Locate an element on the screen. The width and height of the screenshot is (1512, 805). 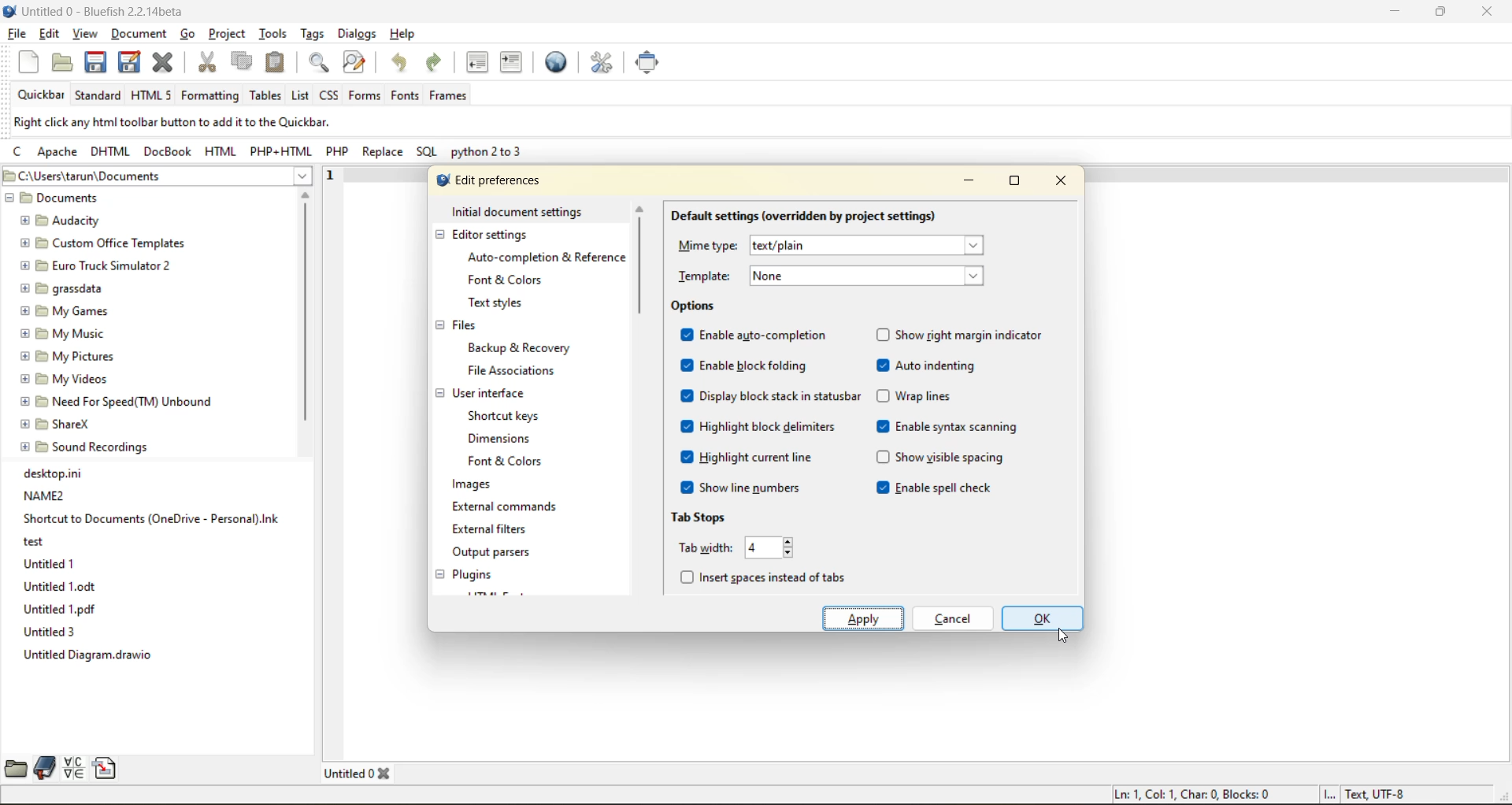
enable block folding is located at coordinates (743, 365).